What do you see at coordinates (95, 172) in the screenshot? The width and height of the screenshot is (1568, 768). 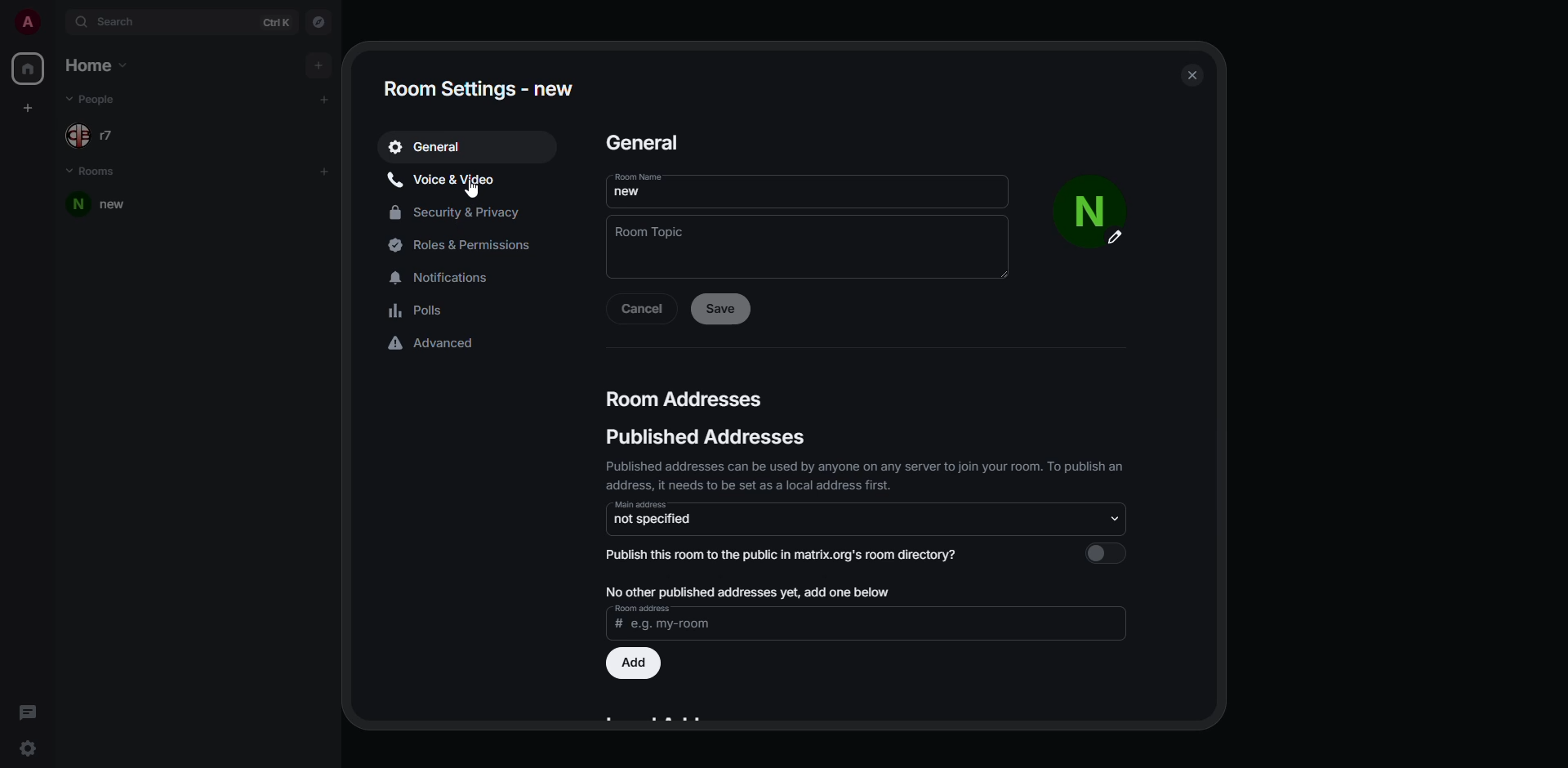 I see `rooms` at bounding box center [95, 172].